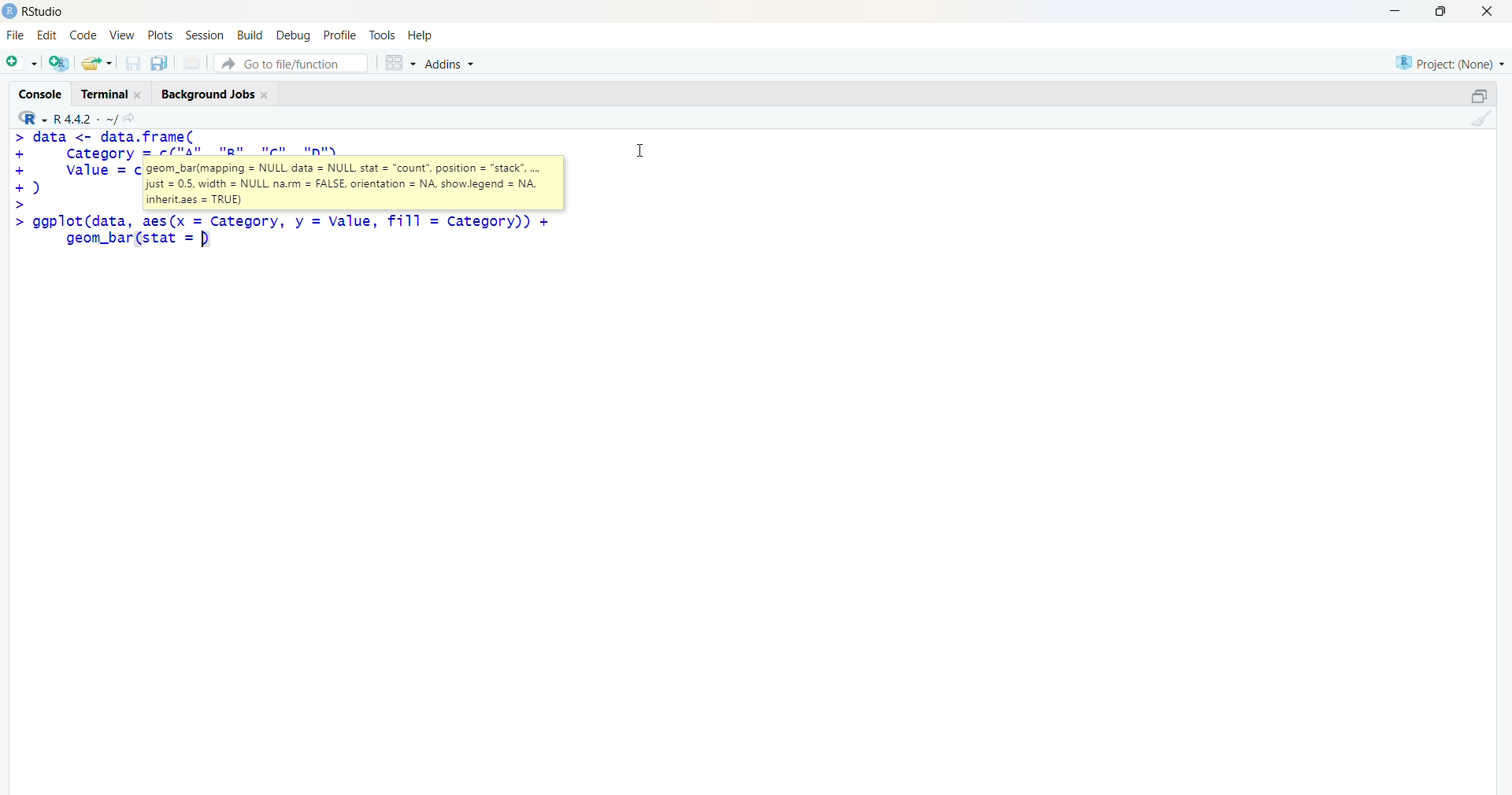 This screenshot has height=795, width=1512. I want to click on help, so click(423, 35).